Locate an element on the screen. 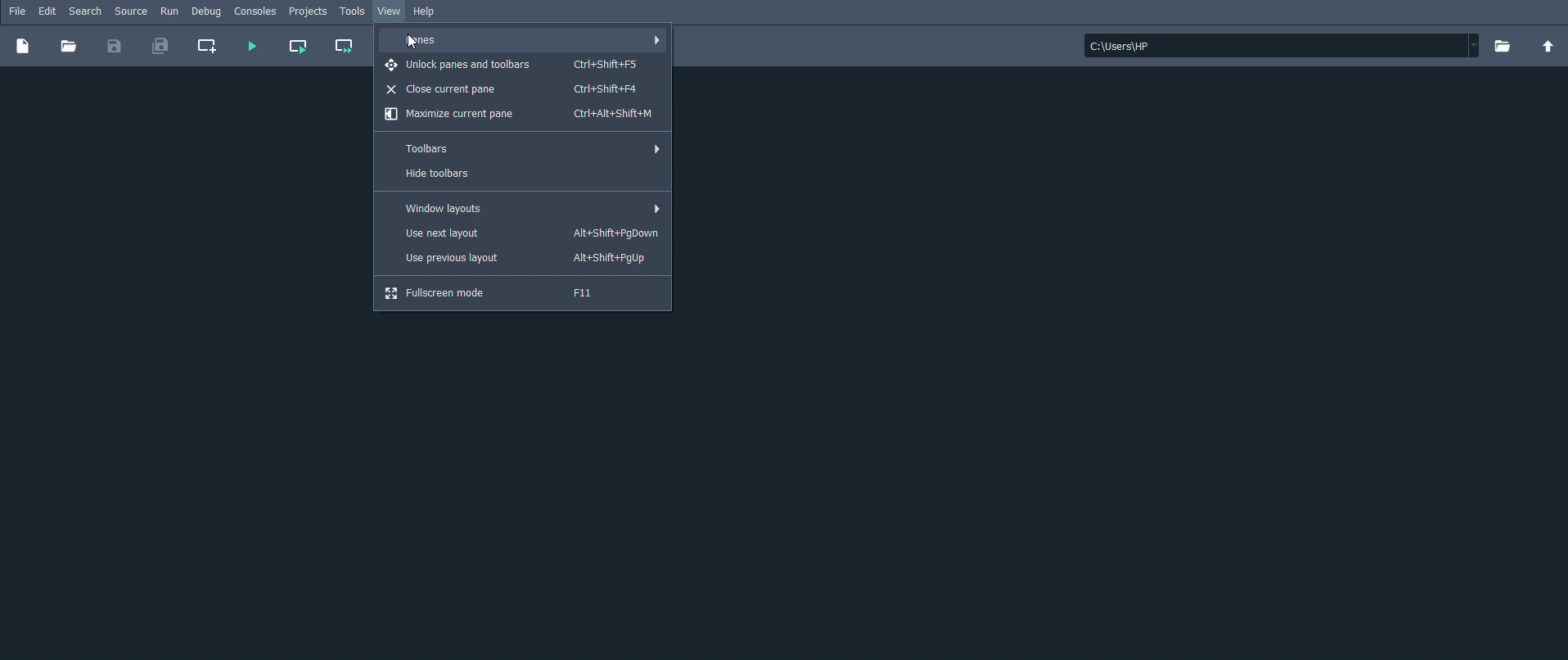 The image size is (1568, 660). Use next layout is located at coordinates (522, 234).